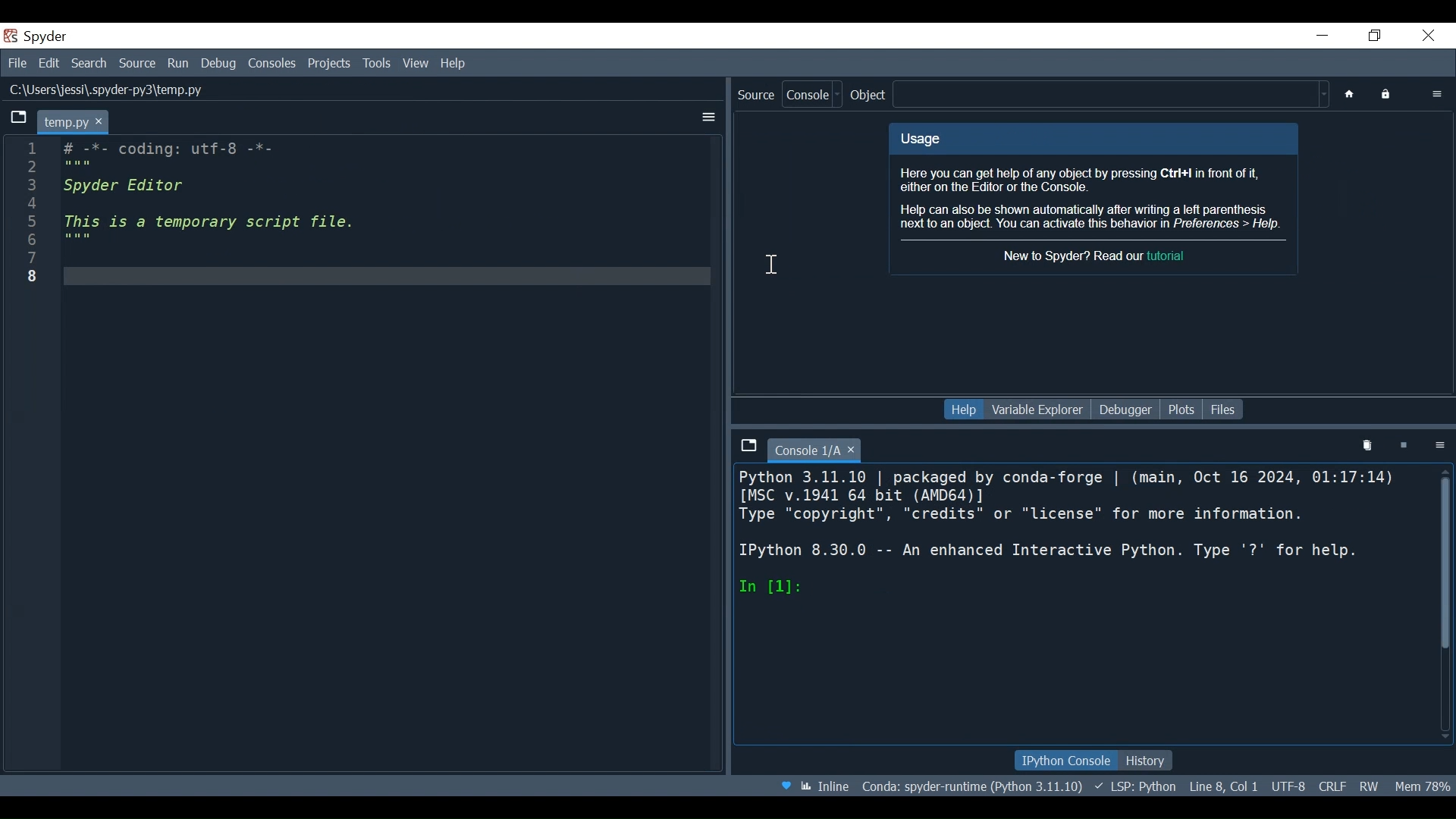  Describe the element at coordinates (1181, 411) in the screenshot. I see `Plots` at that location.